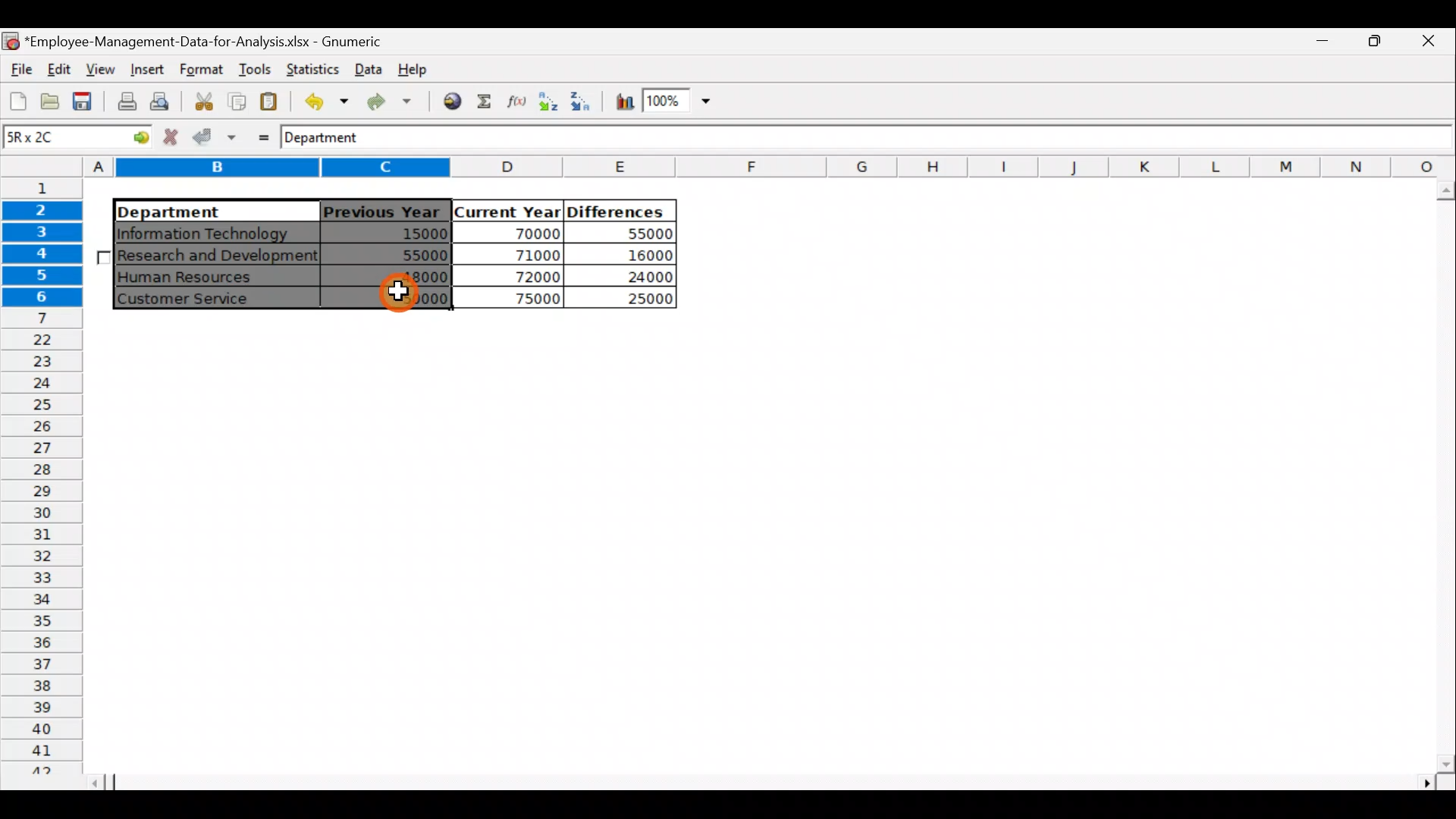  I want to click on 50000, so click(397, 297).